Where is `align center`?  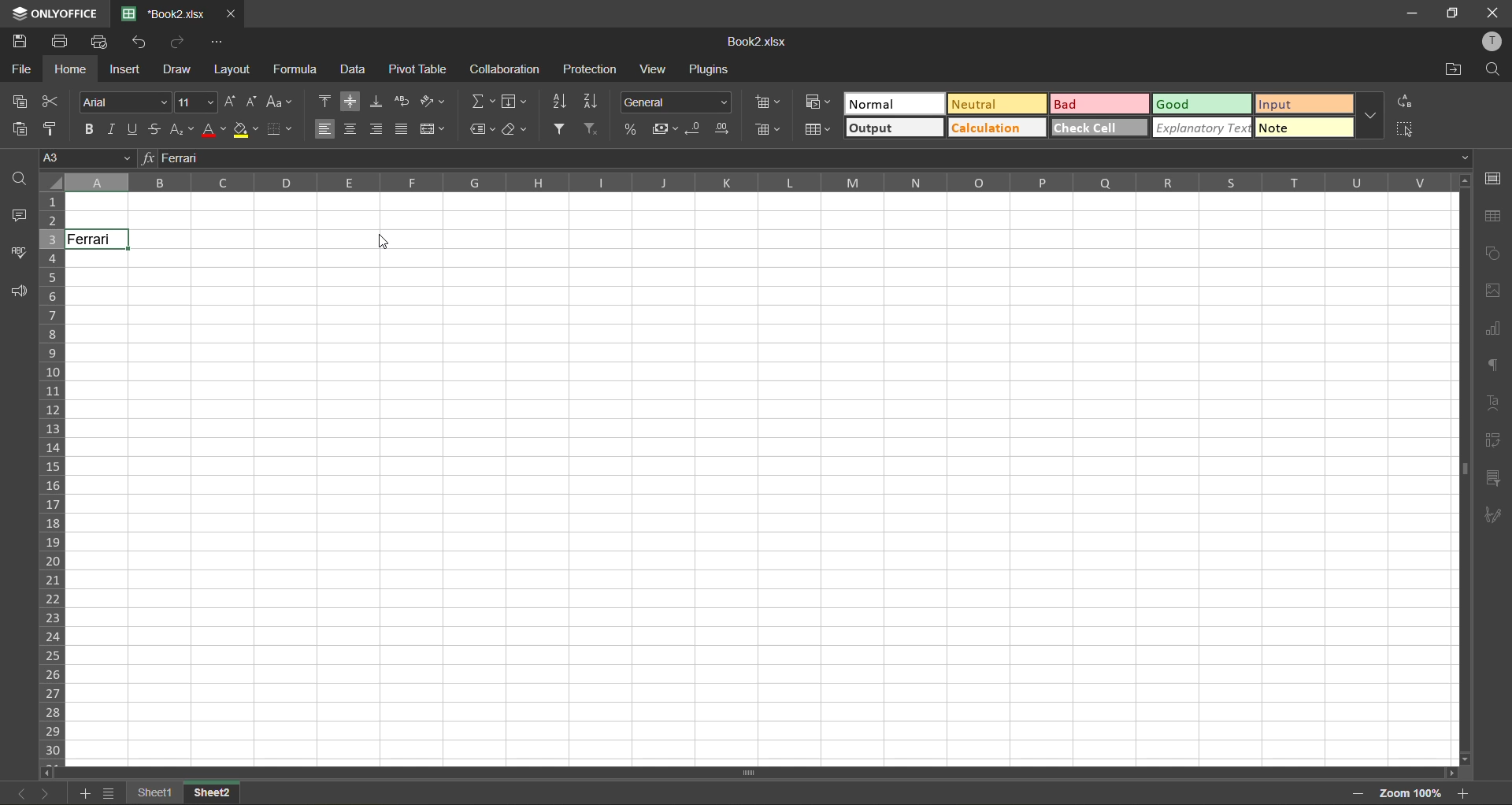 align center is located at coordinates (351, 129).